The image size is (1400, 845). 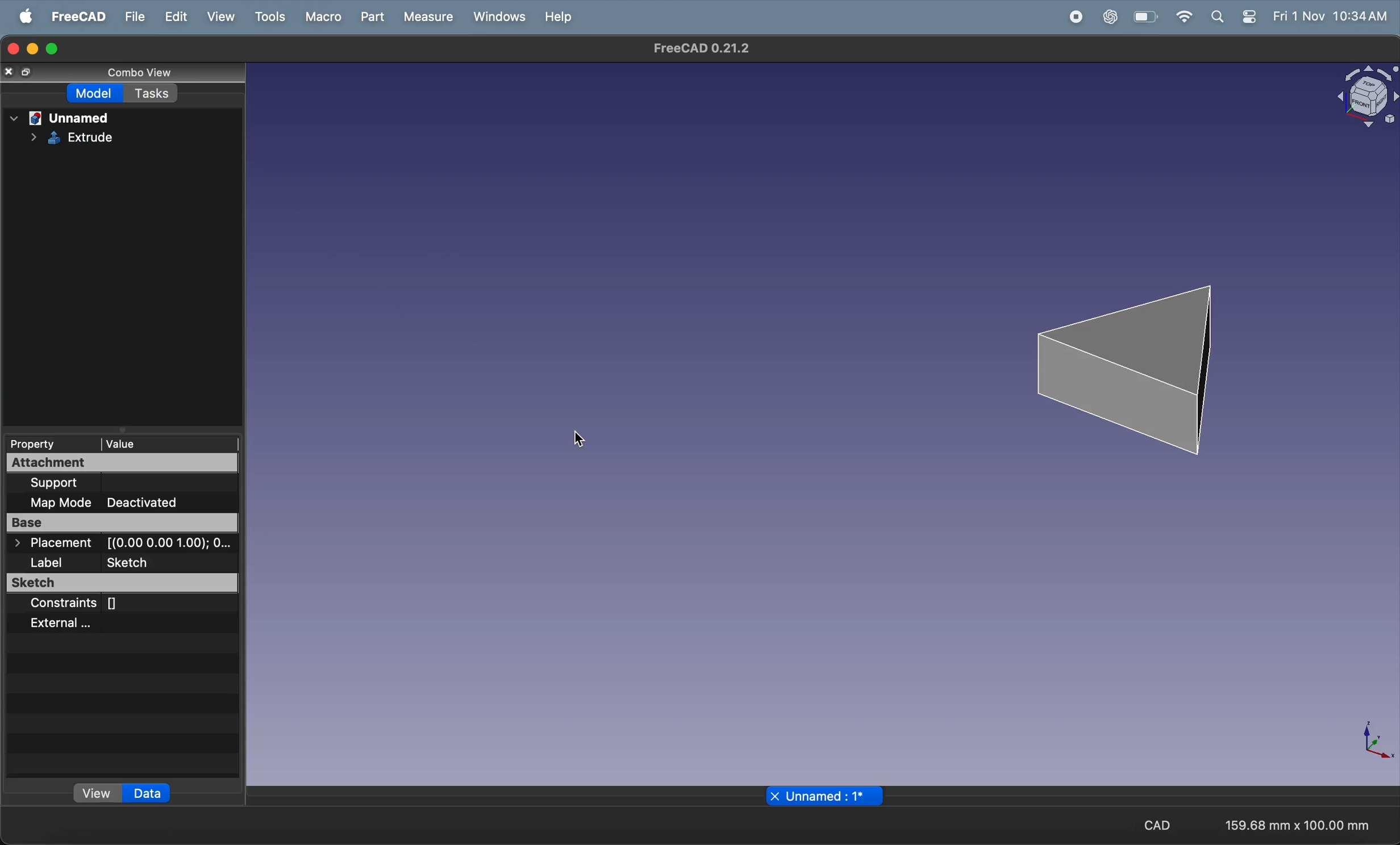 What do you see at coordinates (95, 463) in the screenshot?
I see `attachment` at bounding box center [95, 463].